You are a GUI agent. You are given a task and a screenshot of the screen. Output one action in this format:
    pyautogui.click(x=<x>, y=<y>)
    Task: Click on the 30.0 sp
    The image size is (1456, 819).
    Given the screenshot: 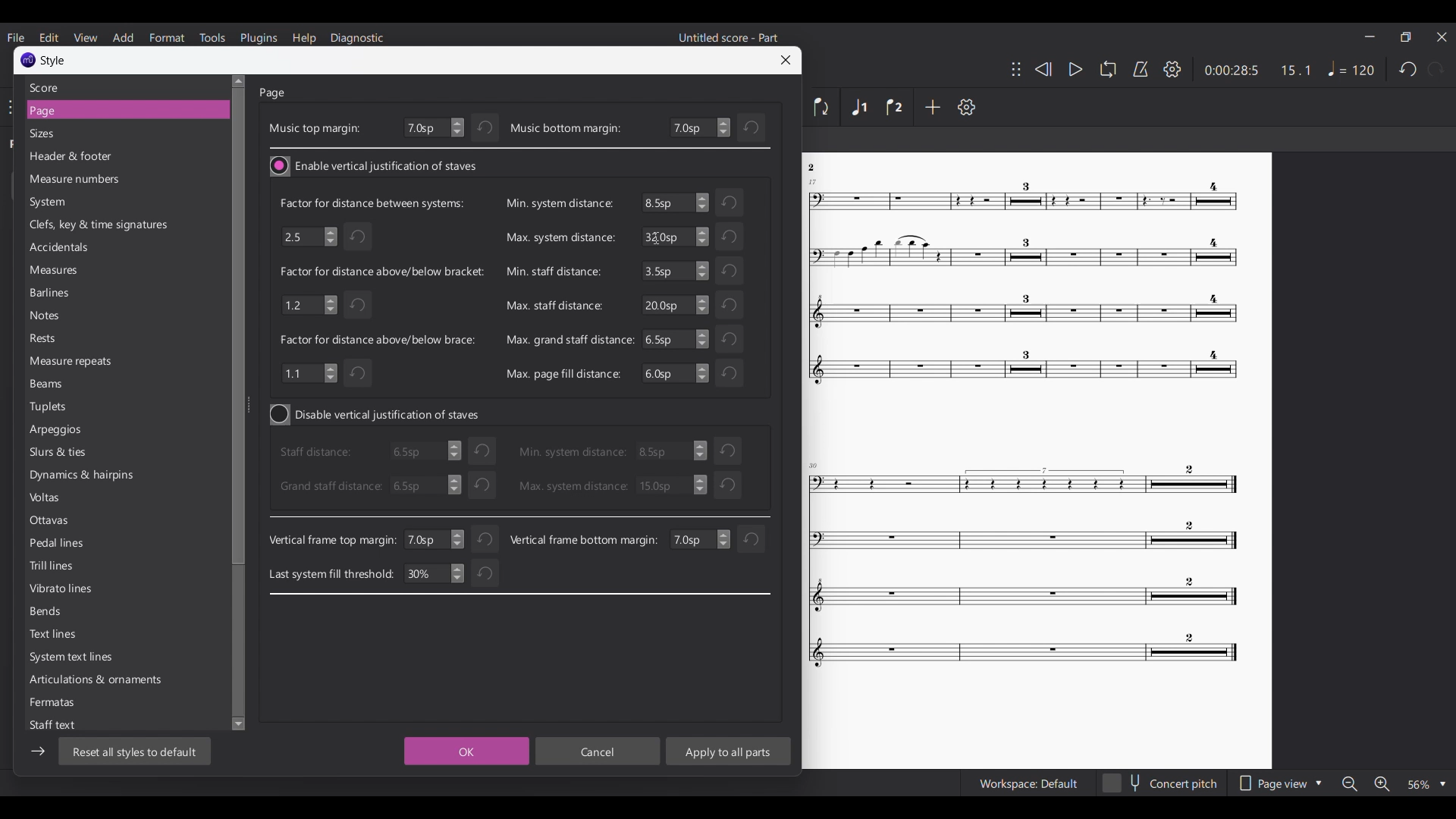 What is the action you would take?
    pyautogui.click(x=671, y=485)
    